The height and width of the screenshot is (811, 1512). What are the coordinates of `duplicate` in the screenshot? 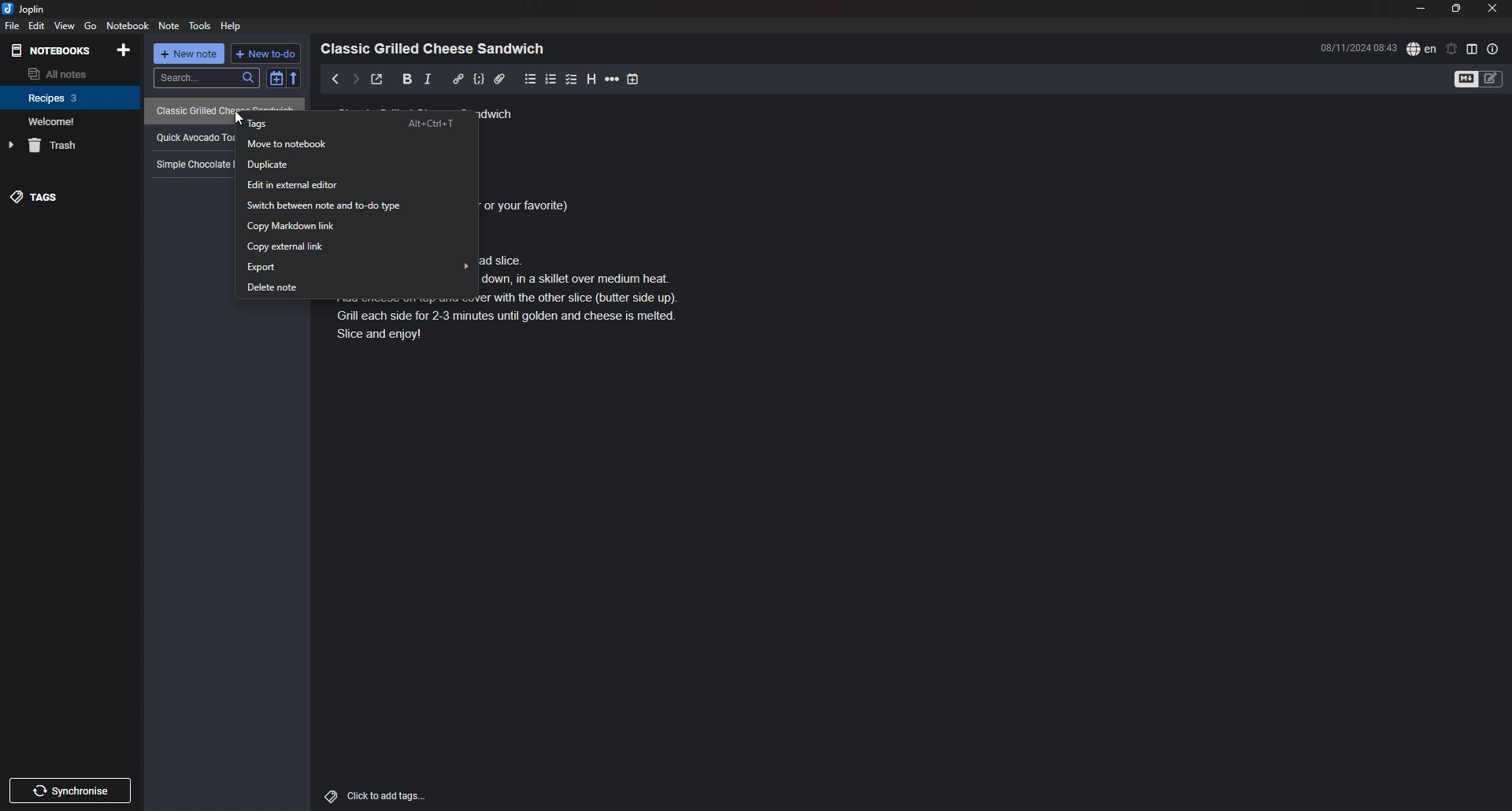 It's located at (357, 165).